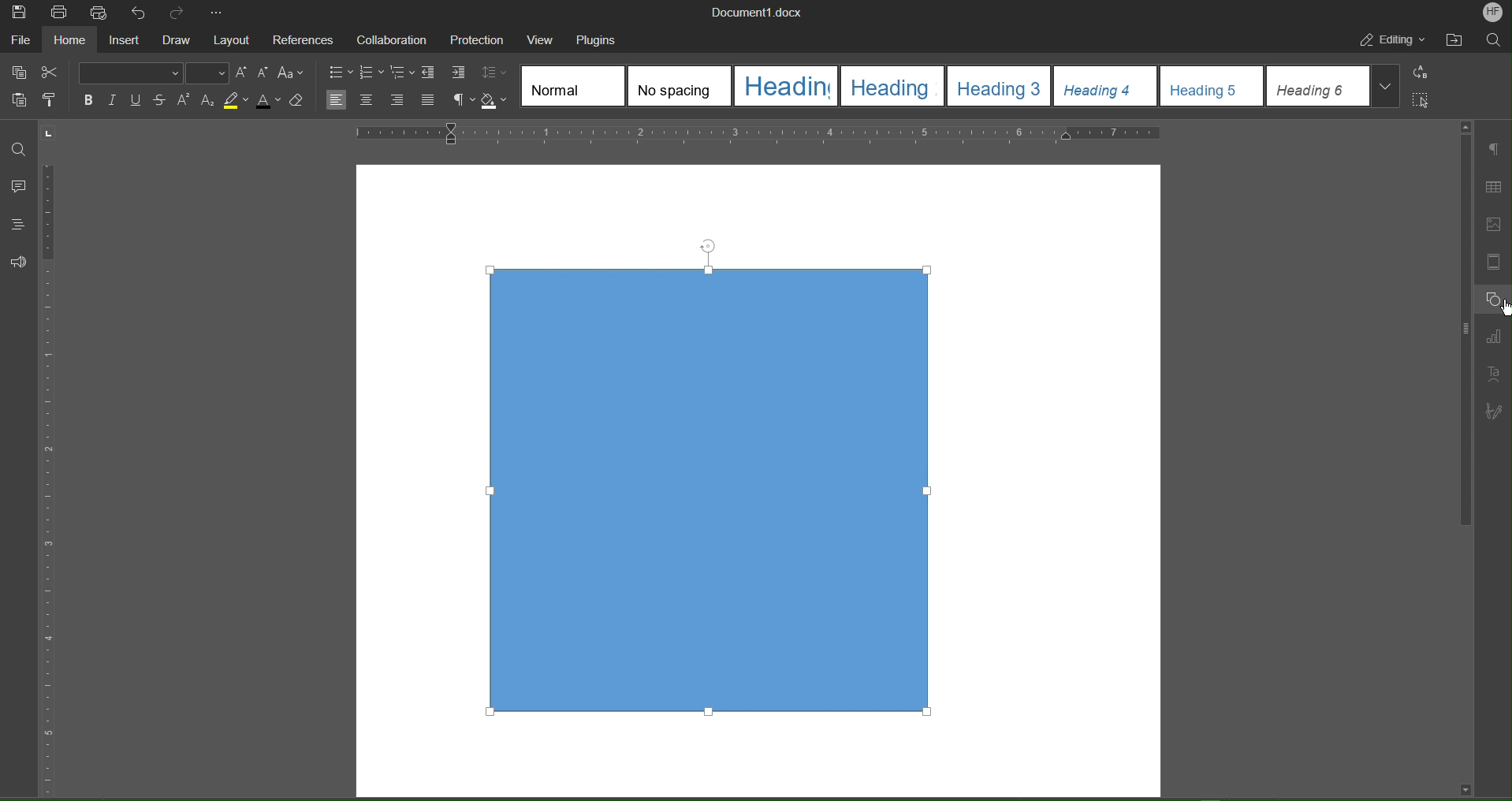  I want to click on Insert, so click(123, 39).